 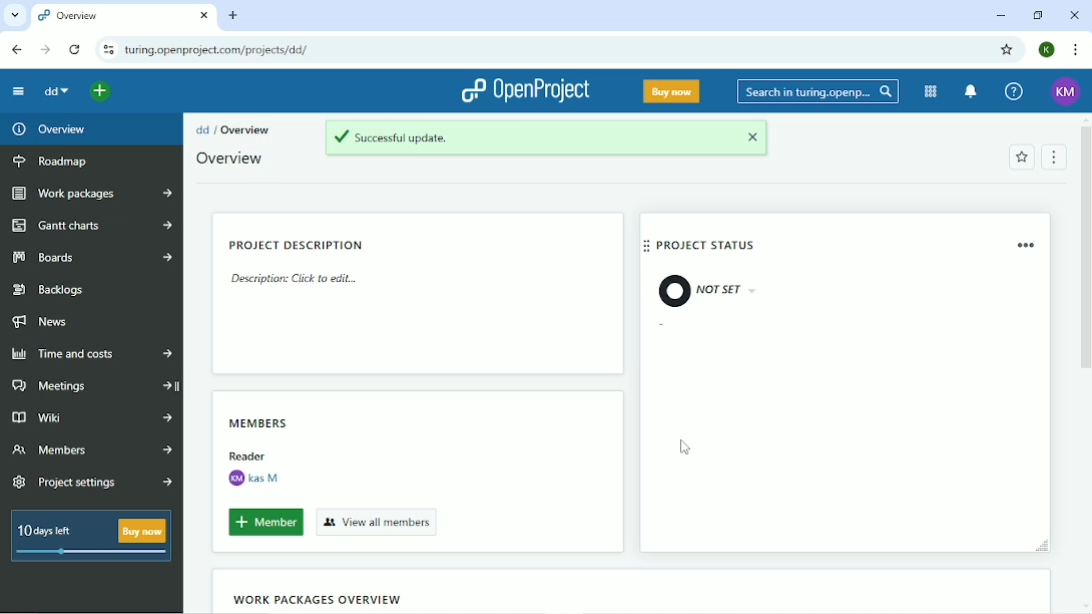 I want to click on Members, so click(x=264, y=421).